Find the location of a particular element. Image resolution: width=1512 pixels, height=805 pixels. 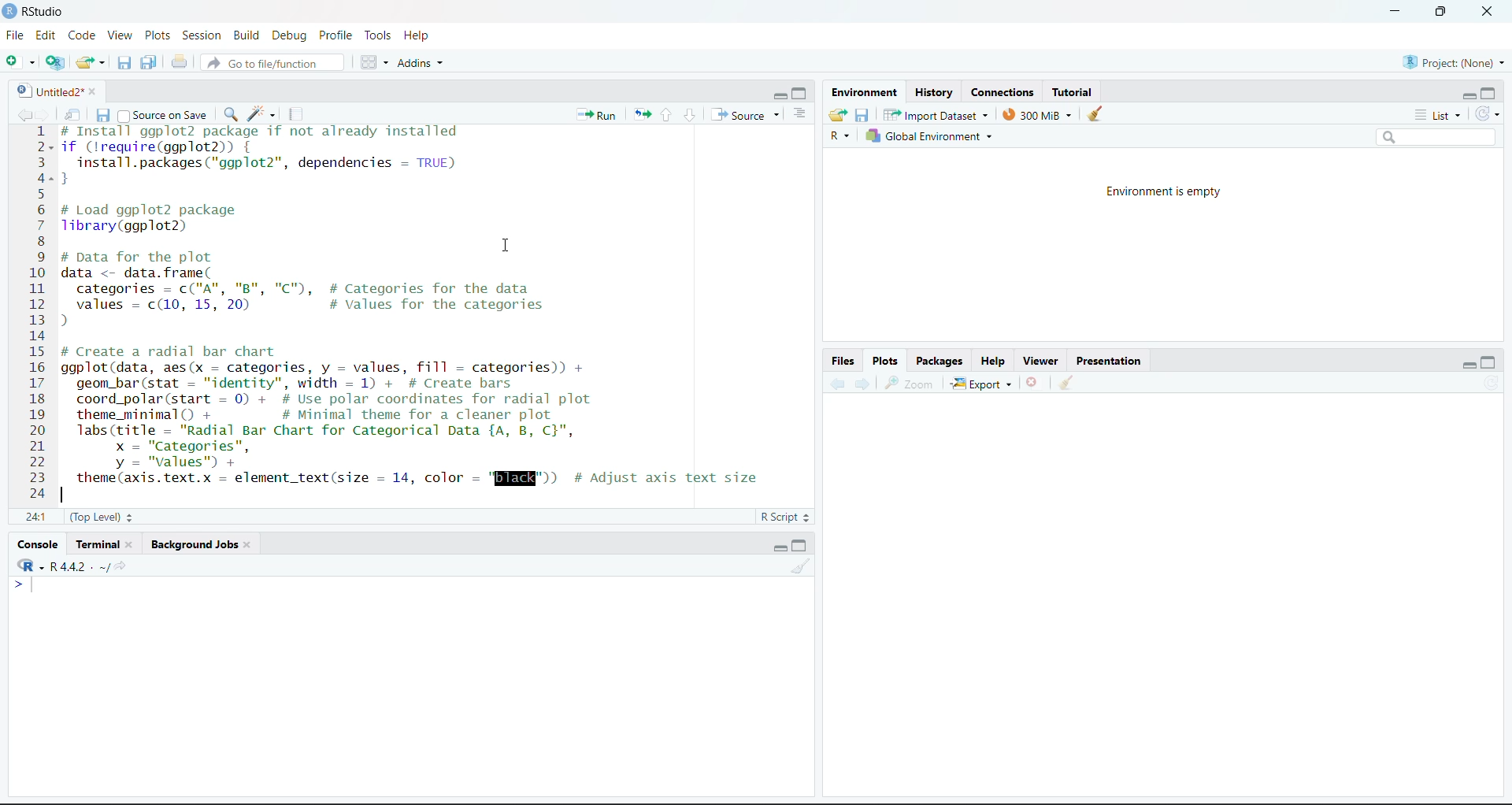

new file is located at coordinates (20, 63).